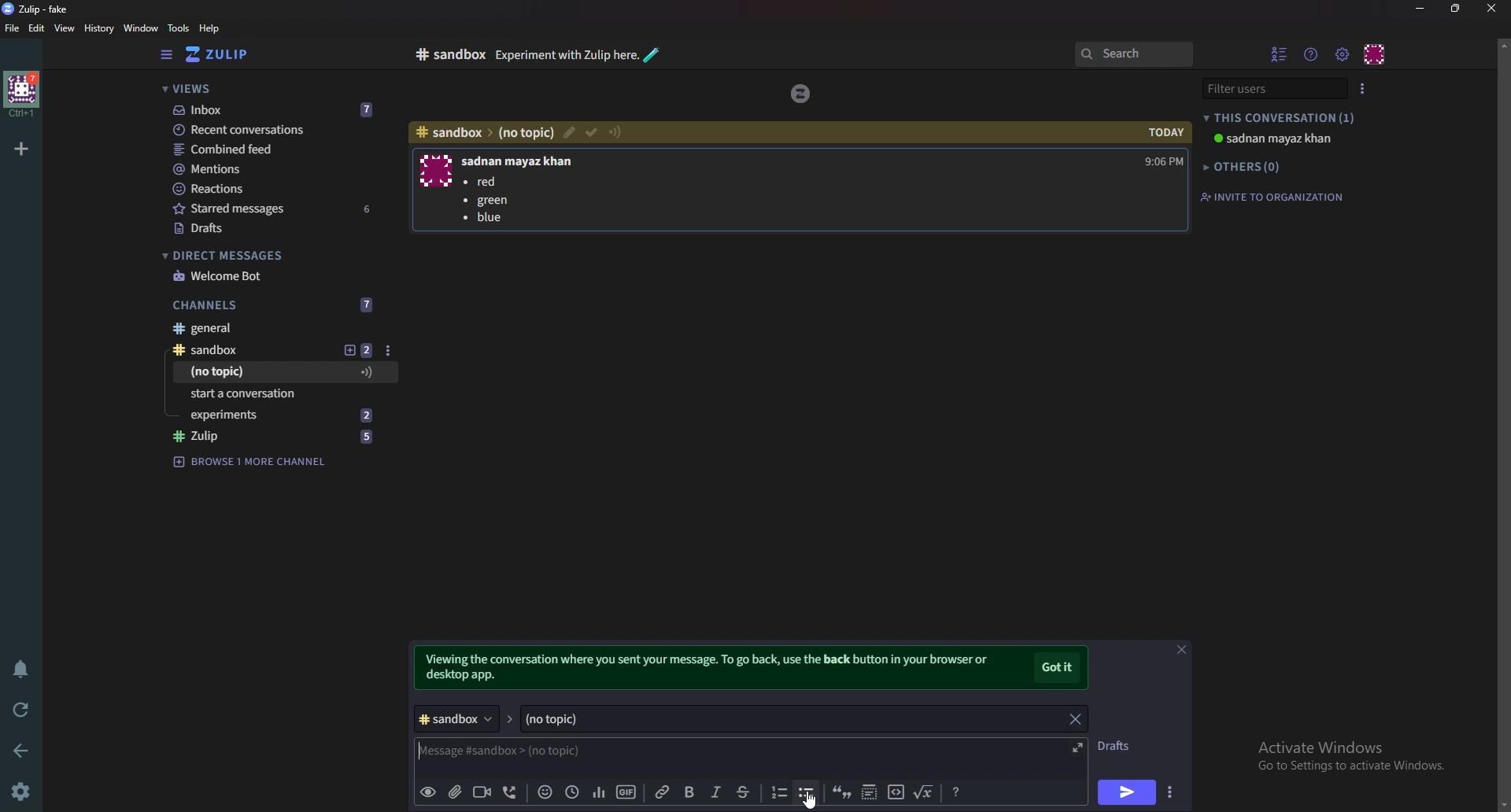  What do you see at coordinates (368, 373) in the screenshot?
I see `Topic notifications` at bounding box center [368, 373].